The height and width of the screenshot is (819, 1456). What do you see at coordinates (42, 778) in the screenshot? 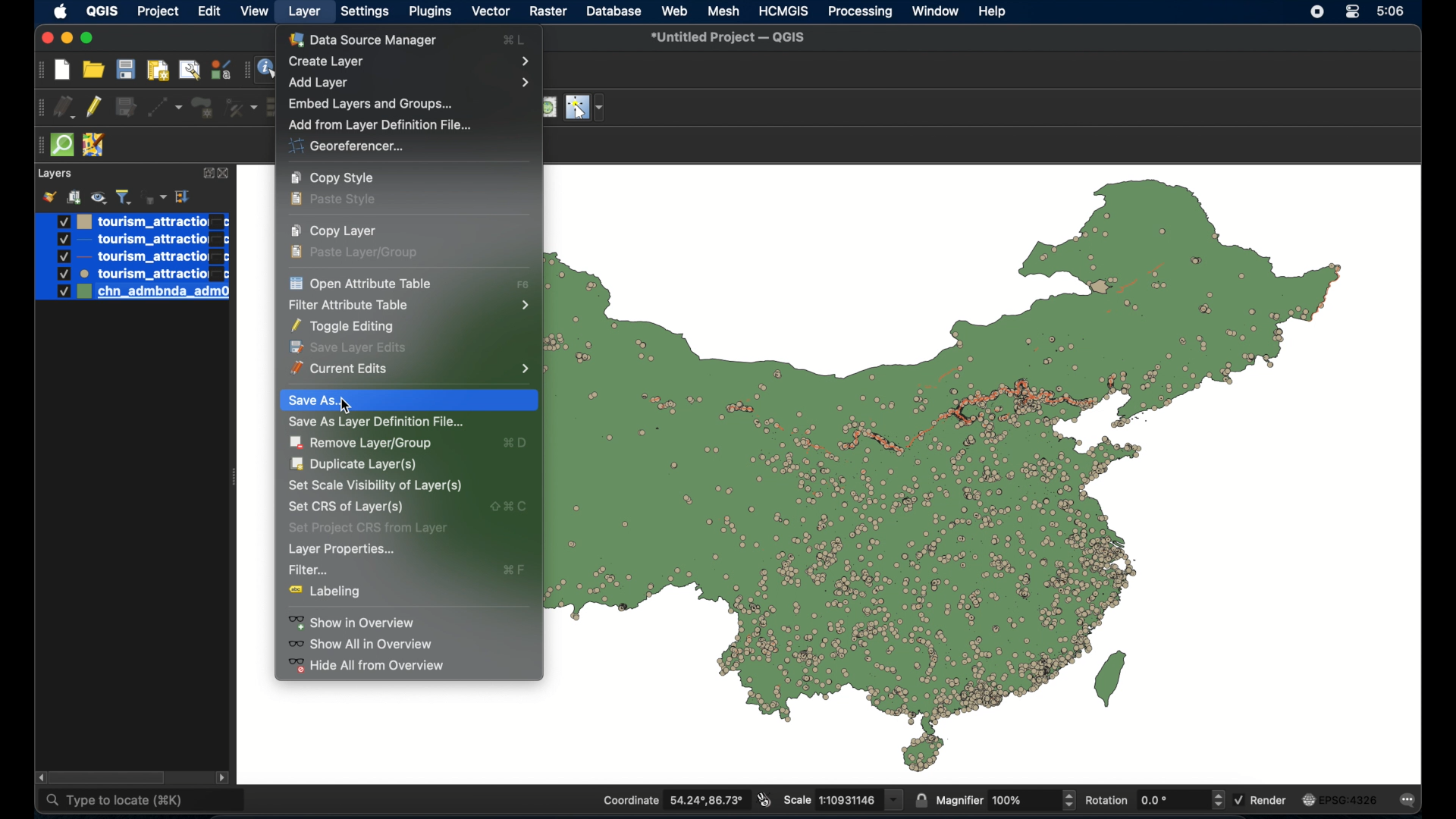
I see `scroll left arrow` at bounding box center [42, 778].